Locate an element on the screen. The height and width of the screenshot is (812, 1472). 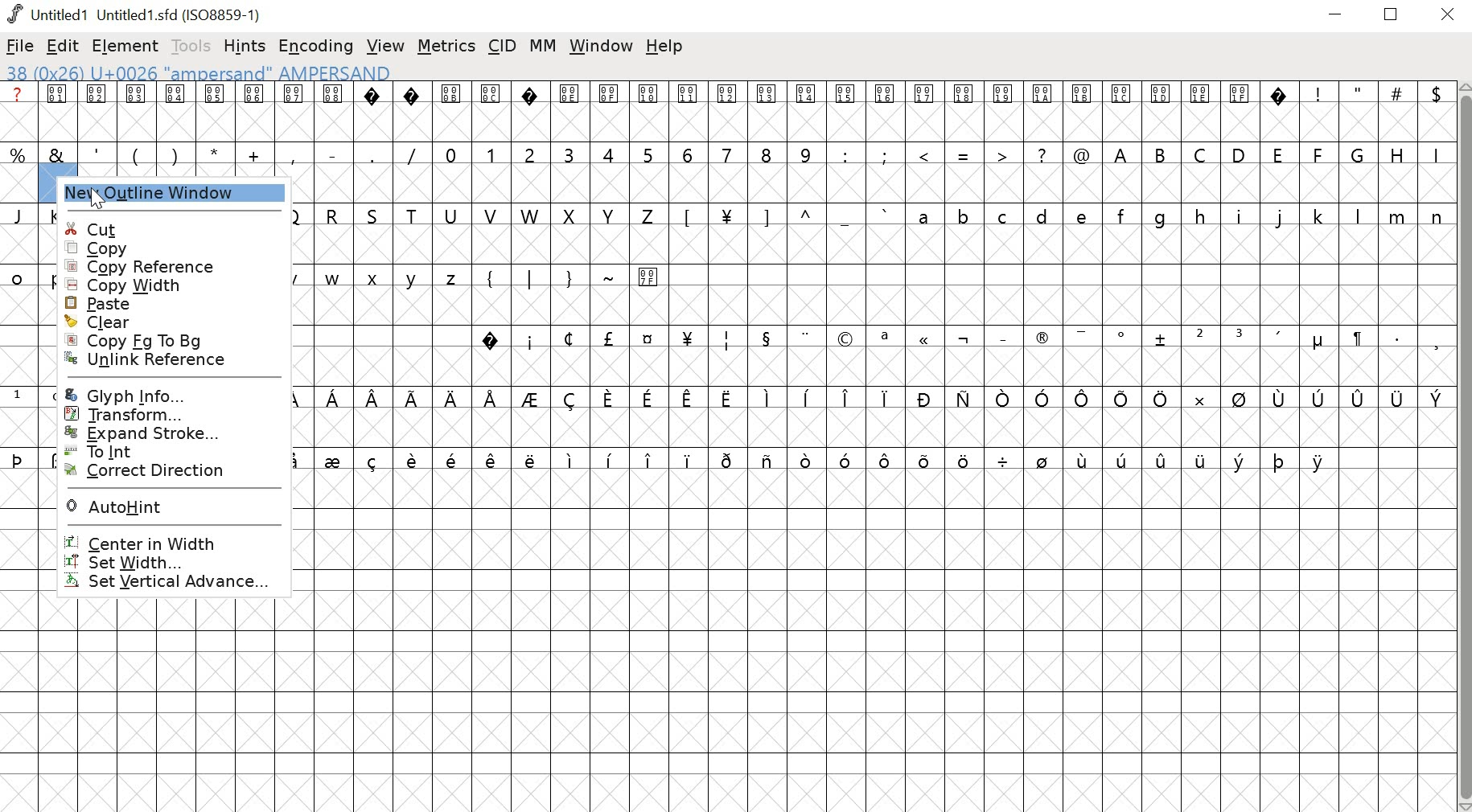
G is located at coordinates (1359, 154).